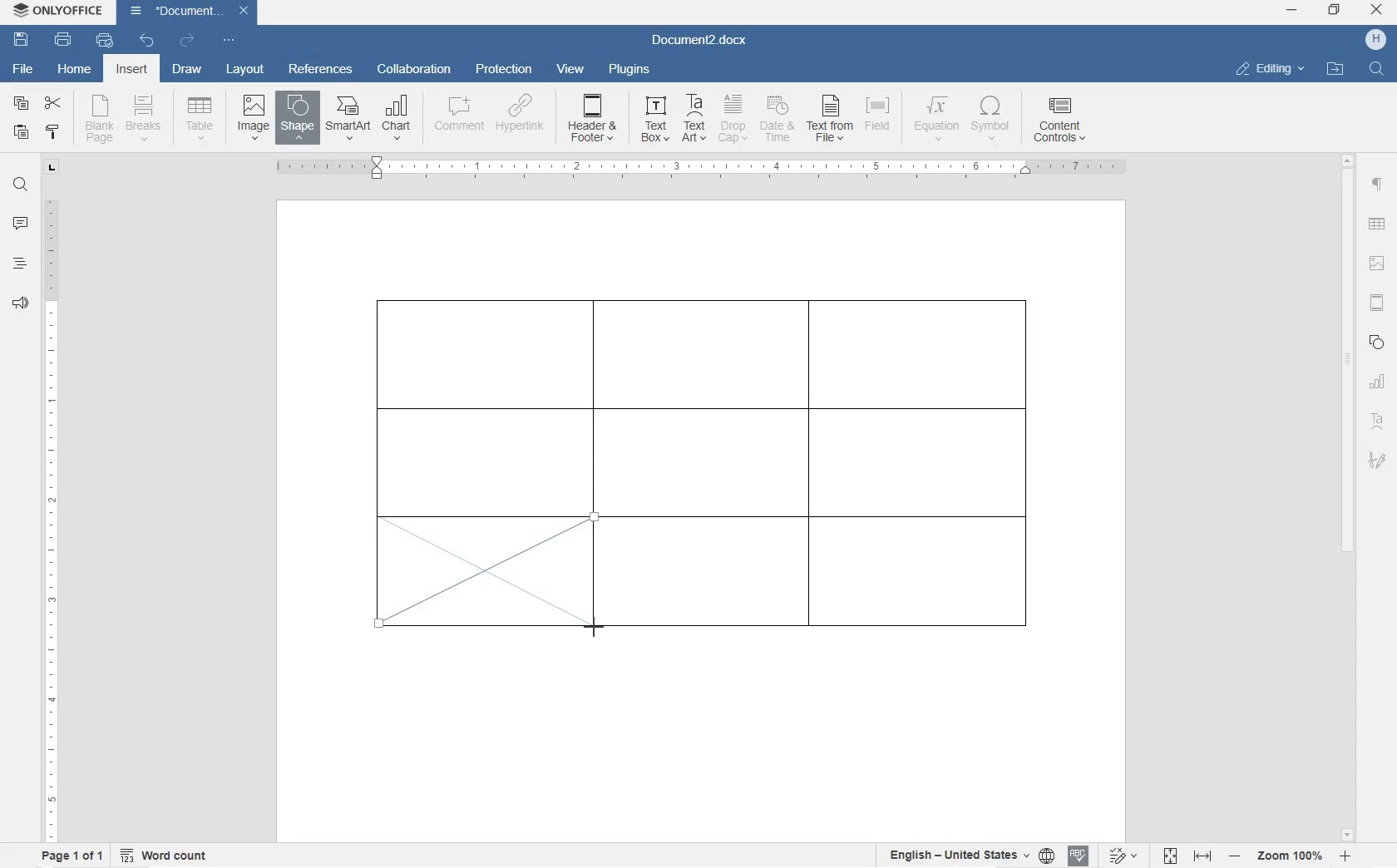 Image resolution: width=1397 pixels, height=868 pixels. I want to click on SYMBOL, so click(992, 121).